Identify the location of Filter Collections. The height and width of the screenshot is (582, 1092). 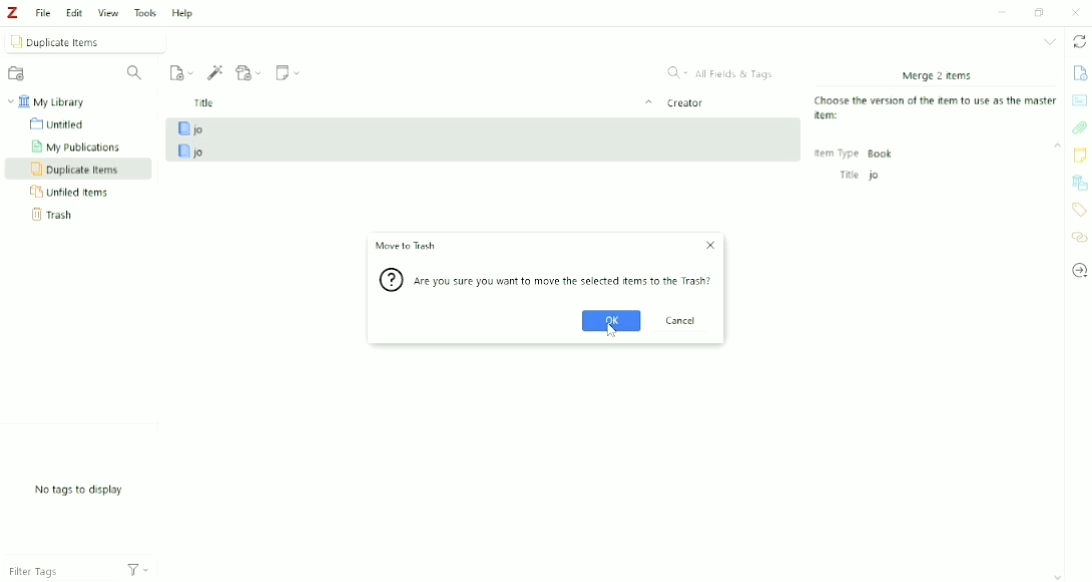
(138, 73).